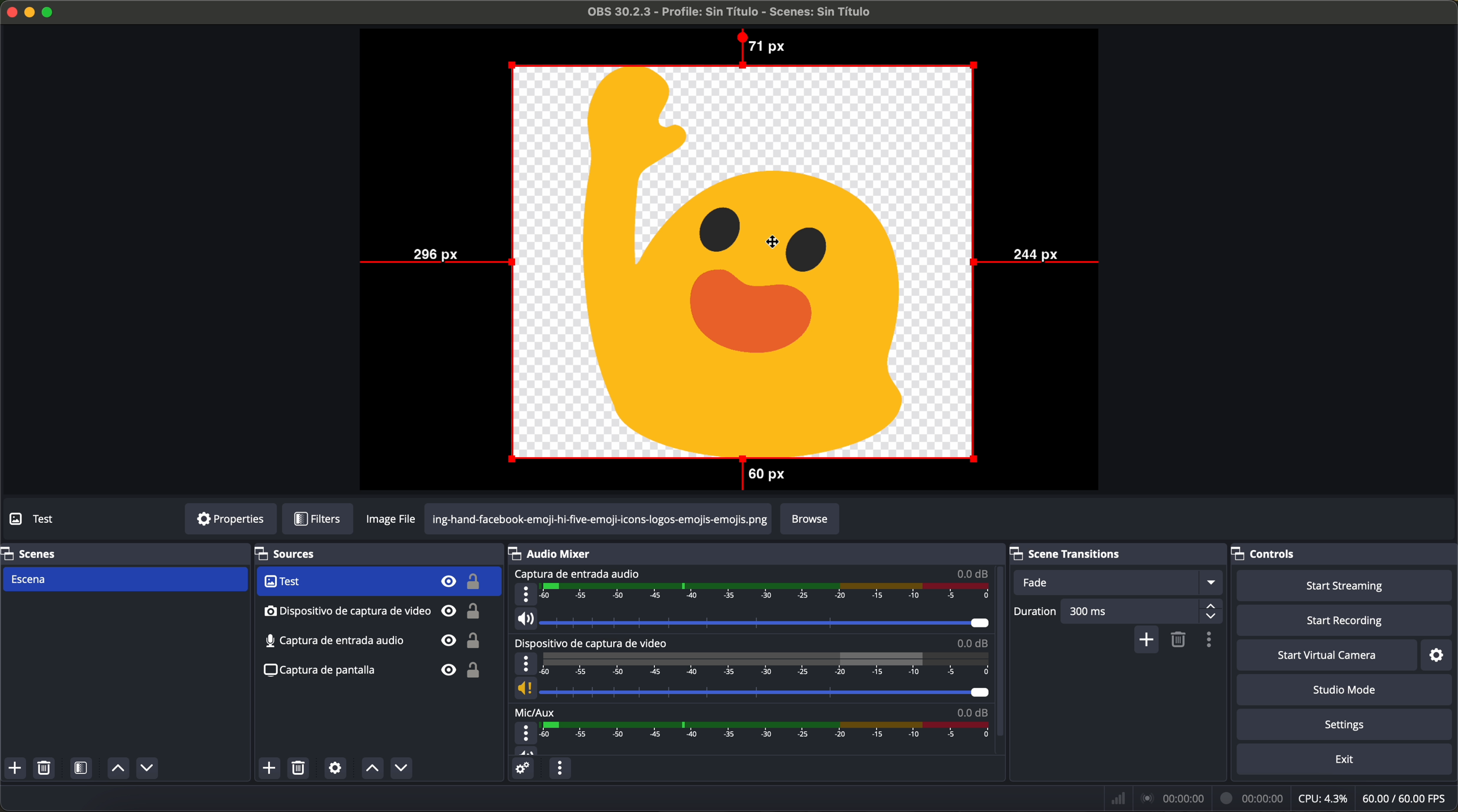 The height and width of the screenshot is (812, 1458). Describe the element at coordinates (124, 580) in the screenshot. I see `scene` at that location.